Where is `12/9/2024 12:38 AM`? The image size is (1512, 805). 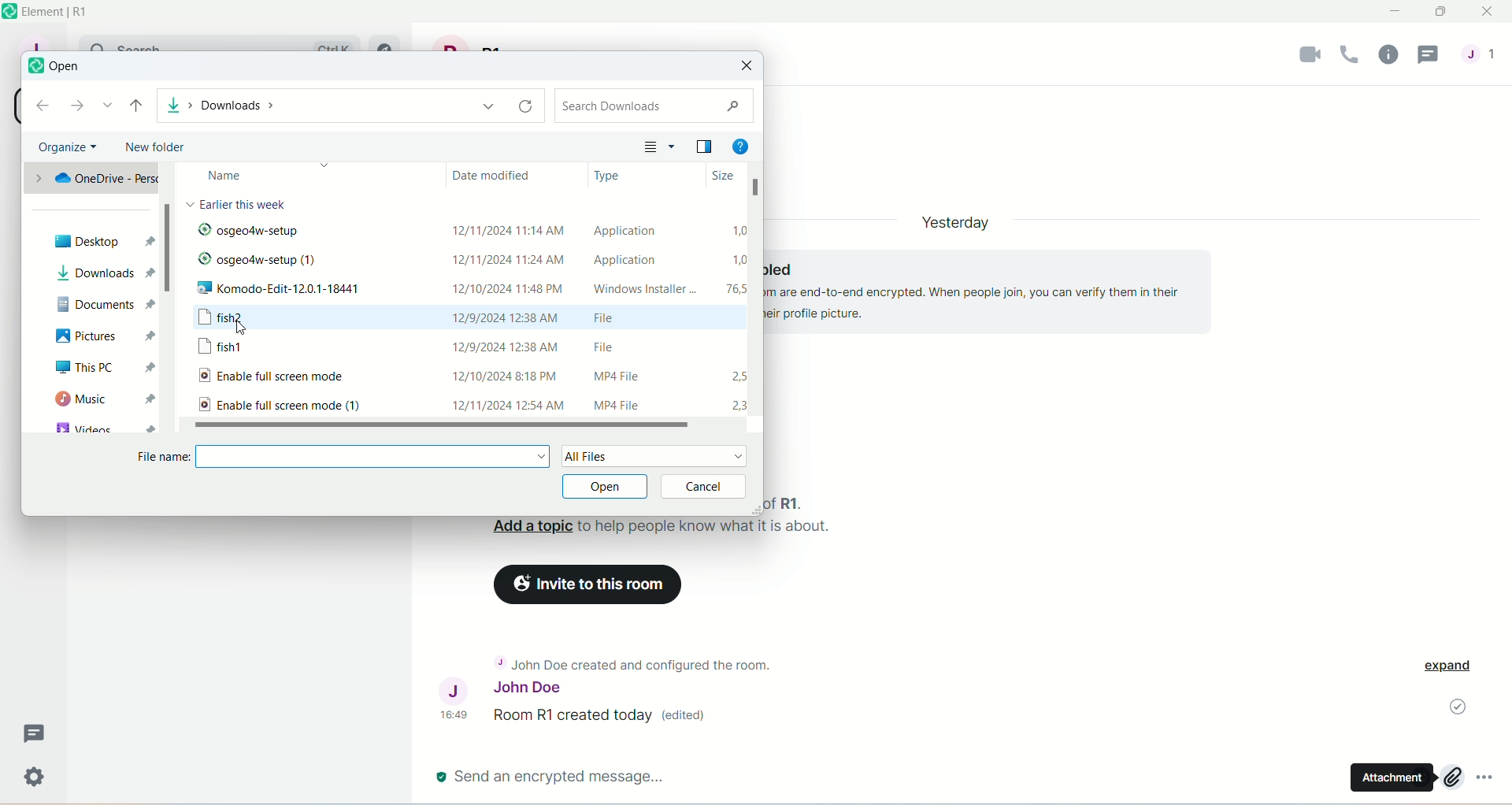
12/9/2024 12:38 AM is located at coordinates (506, 344).